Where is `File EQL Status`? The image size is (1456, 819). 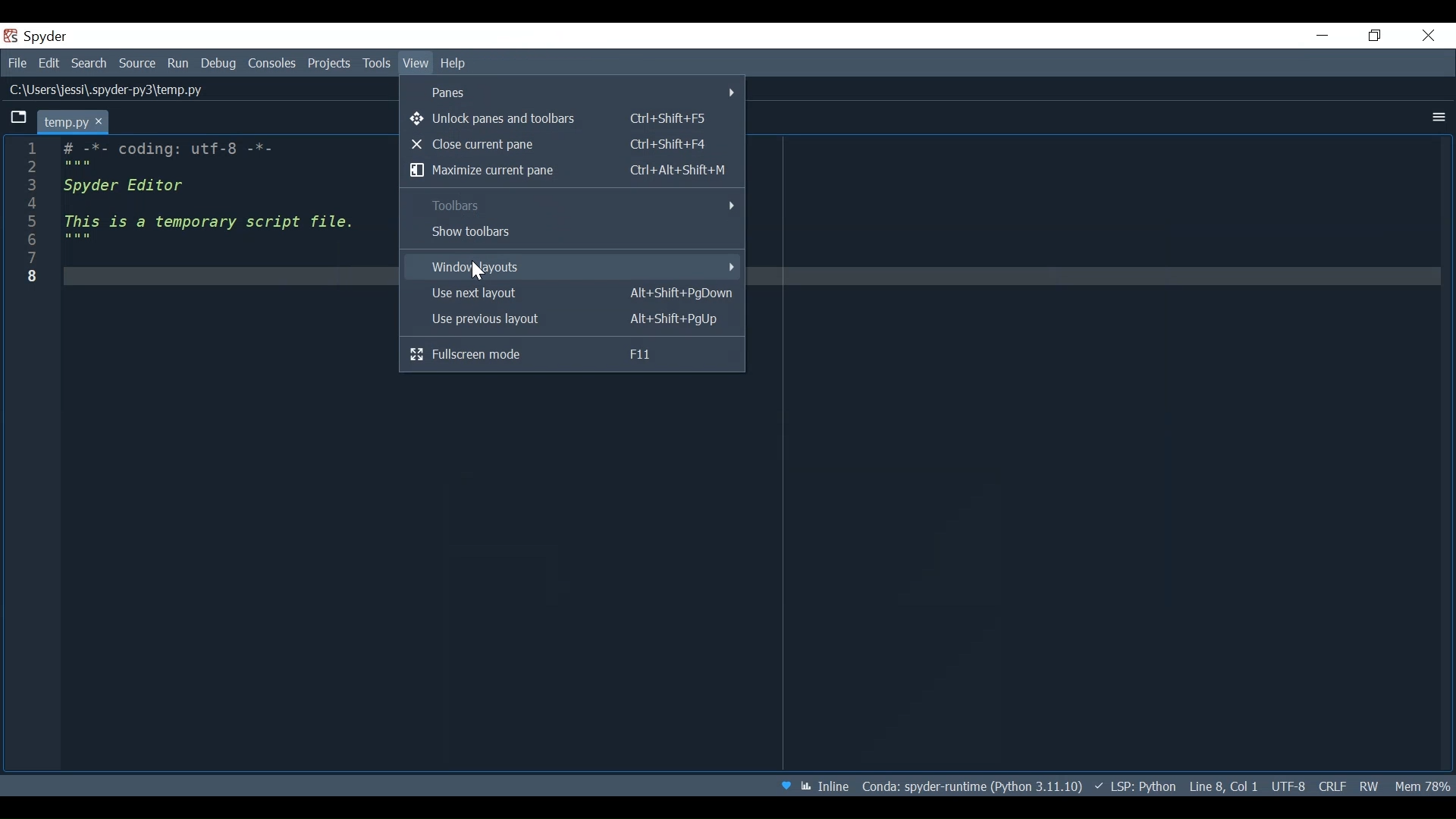 File EQL Status is located at coordinates (1334, 786).